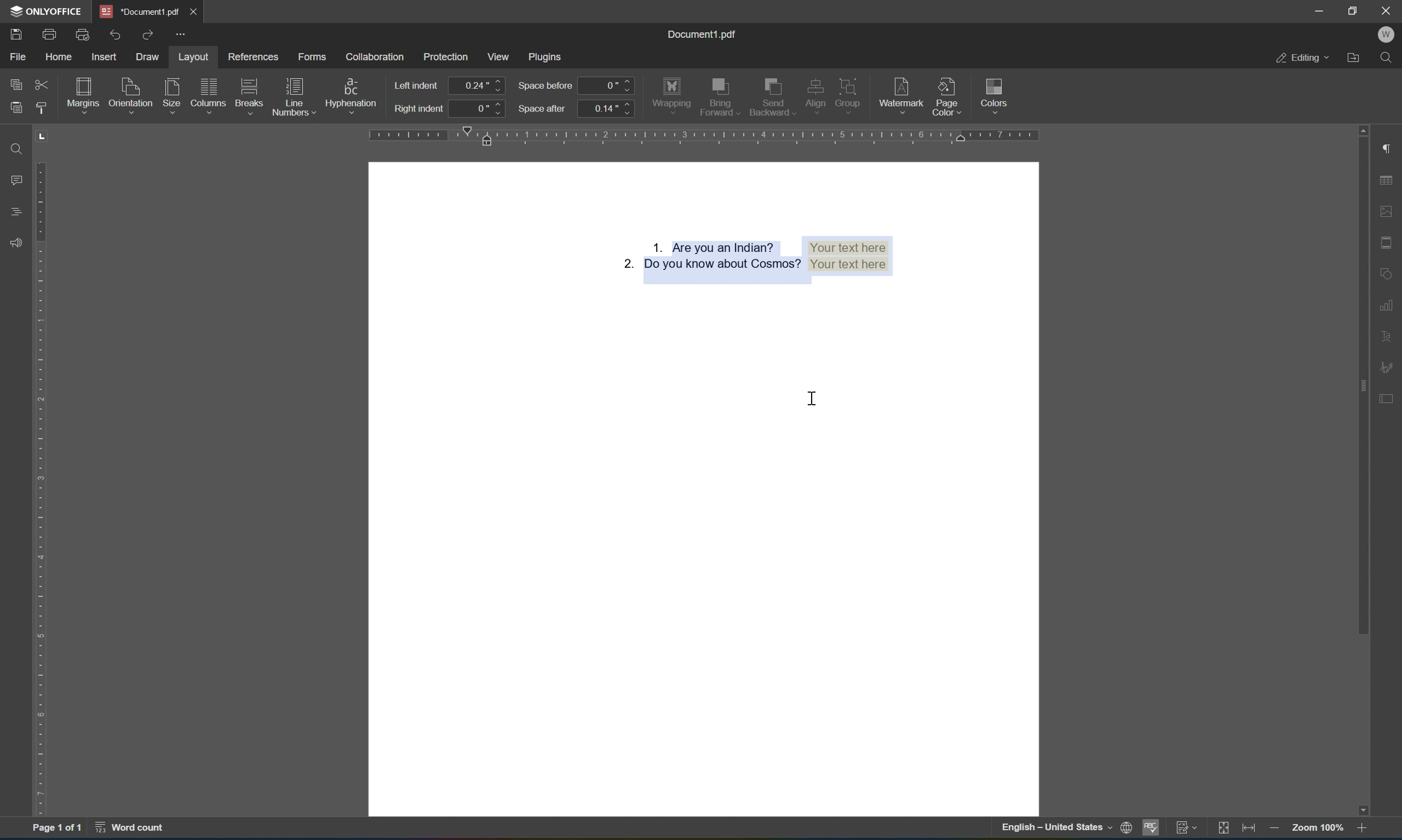  Describe the element at coordinates (350, 95) in the screenshot. I see `hypernation` at that location.